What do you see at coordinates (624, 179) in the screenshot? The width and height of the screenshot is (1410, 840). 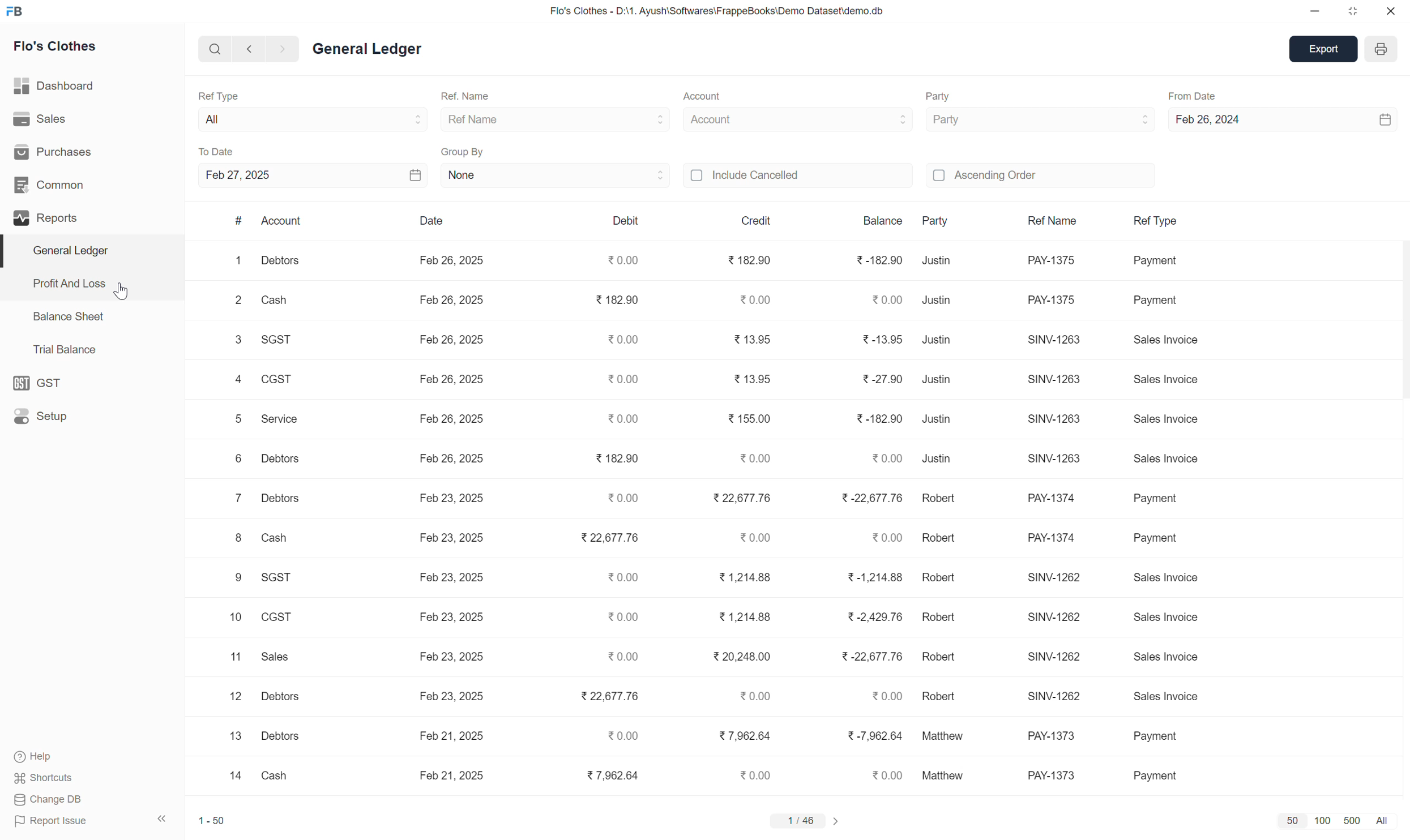 I see `Group by dropdown` at bounding box center [624, 179].